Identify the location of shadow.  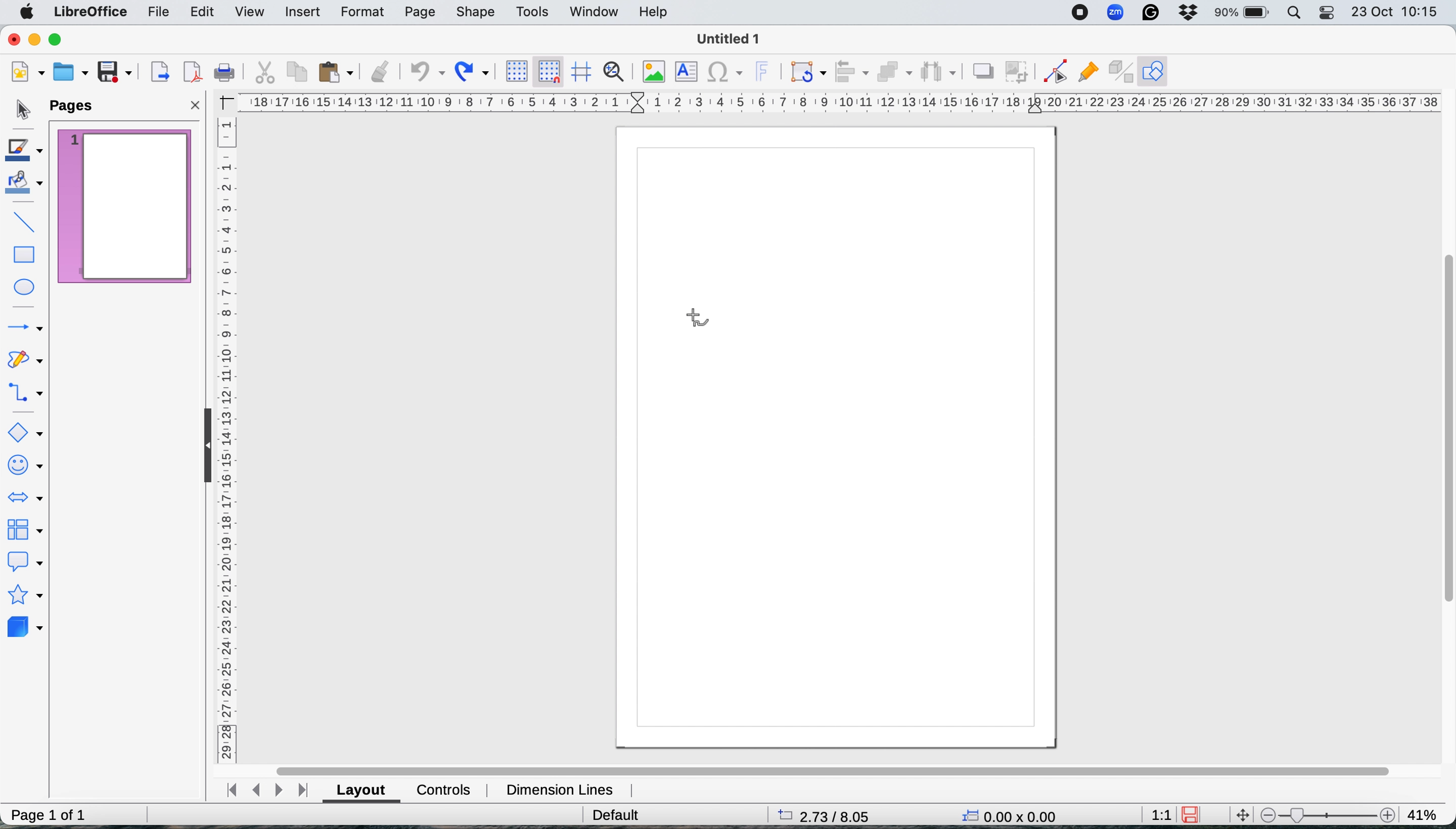
(984, 72).